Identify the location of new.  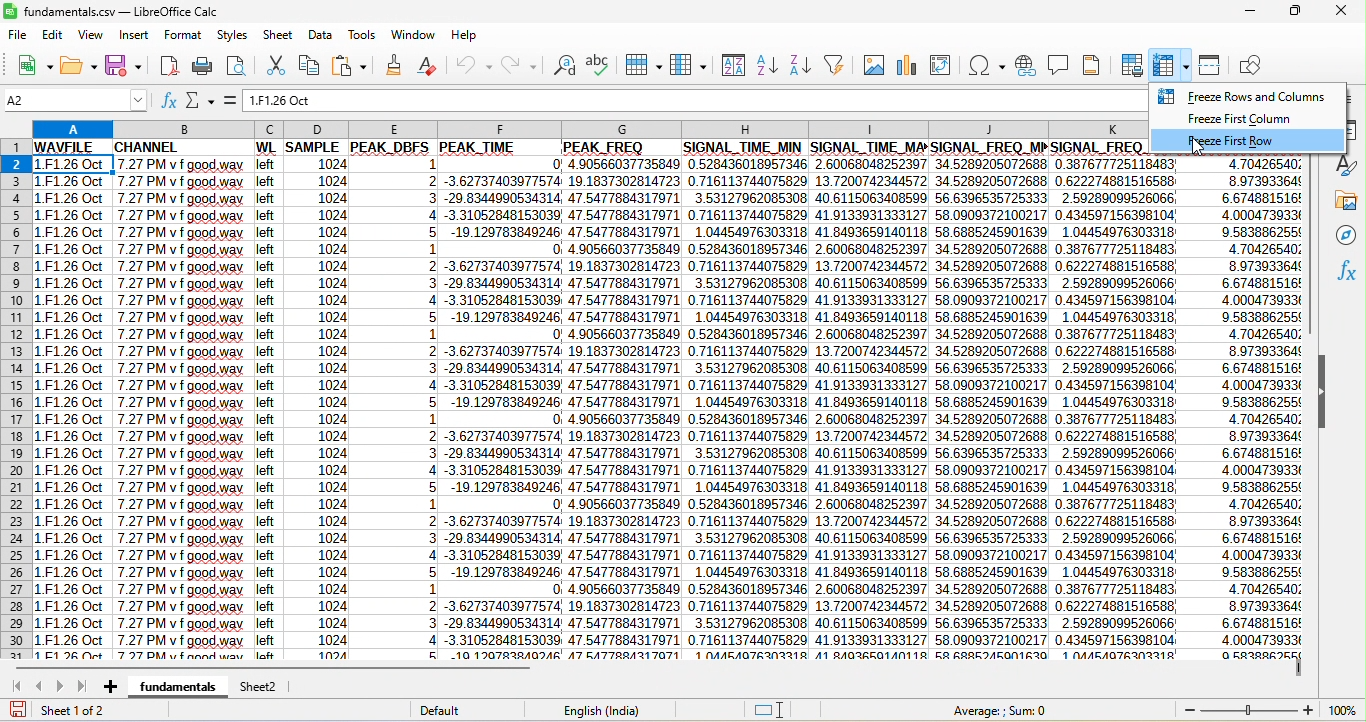
(29, 69).